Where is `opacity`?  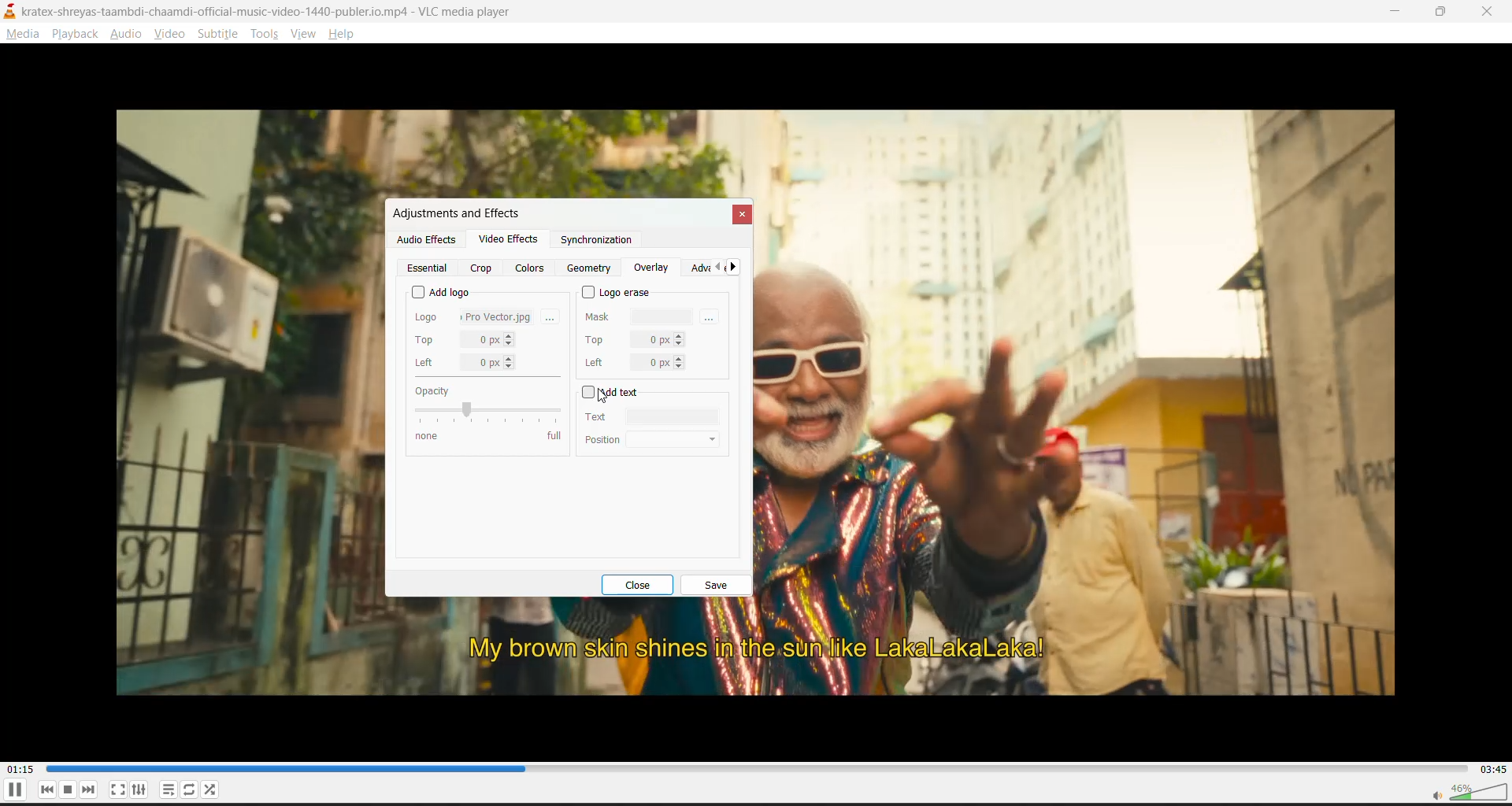 opacity is located at coordinates (486, 412).